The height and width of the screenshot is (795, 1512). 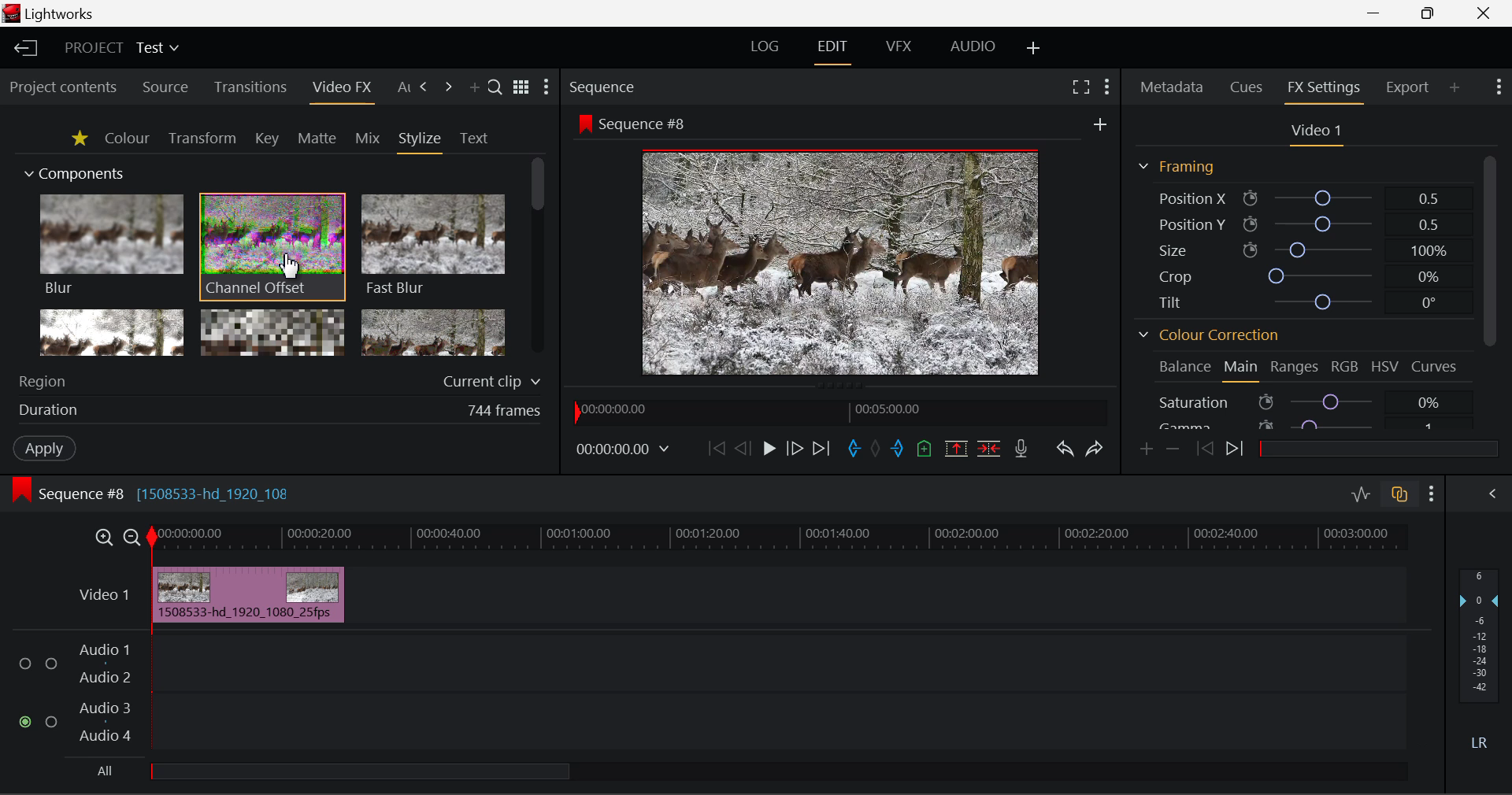 I want to click on Glow, so click(x=109, y=331).